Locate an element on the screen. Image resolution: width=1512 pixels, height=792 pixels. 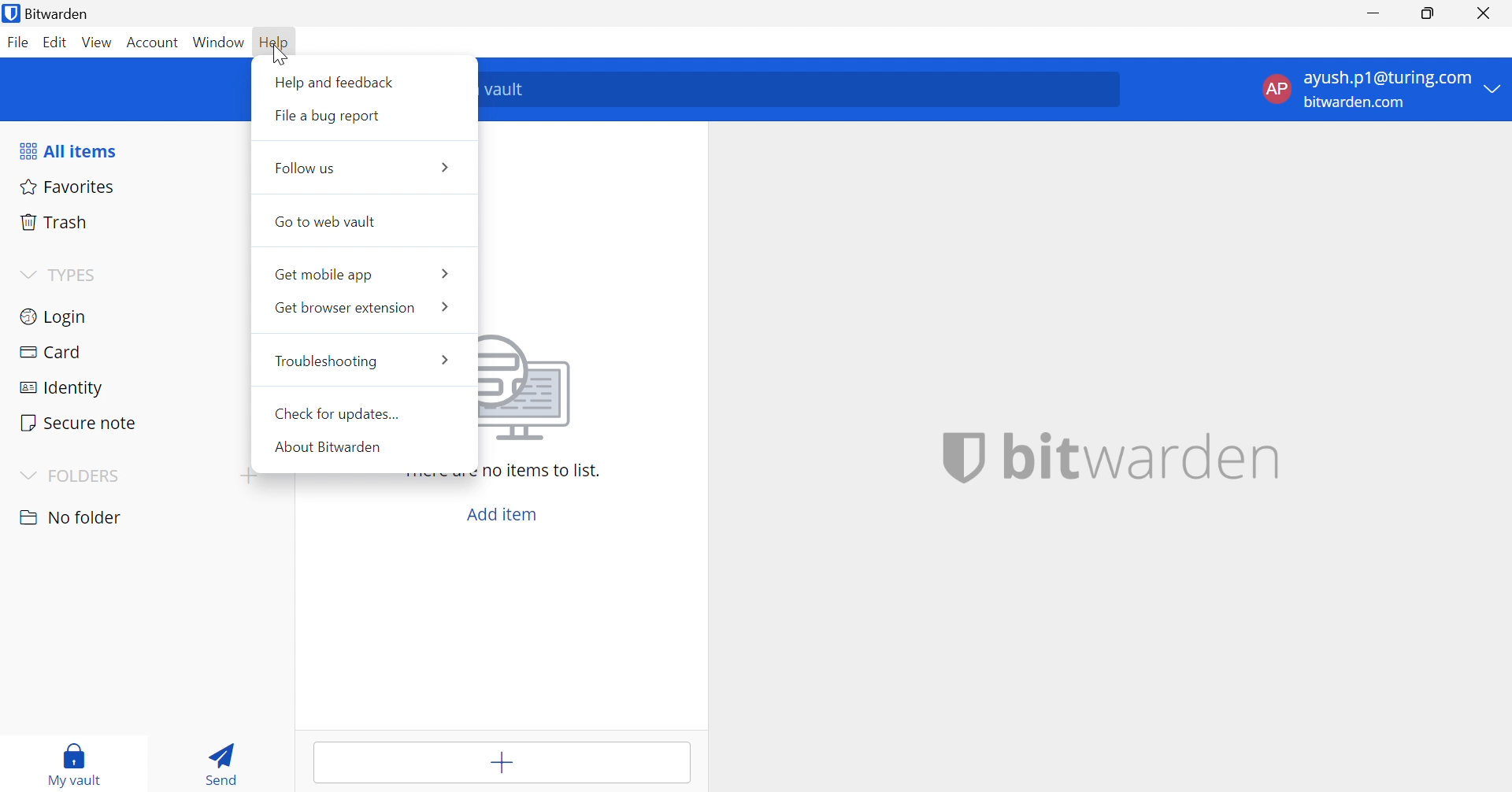
Edit is located at coordinates (57, 43).